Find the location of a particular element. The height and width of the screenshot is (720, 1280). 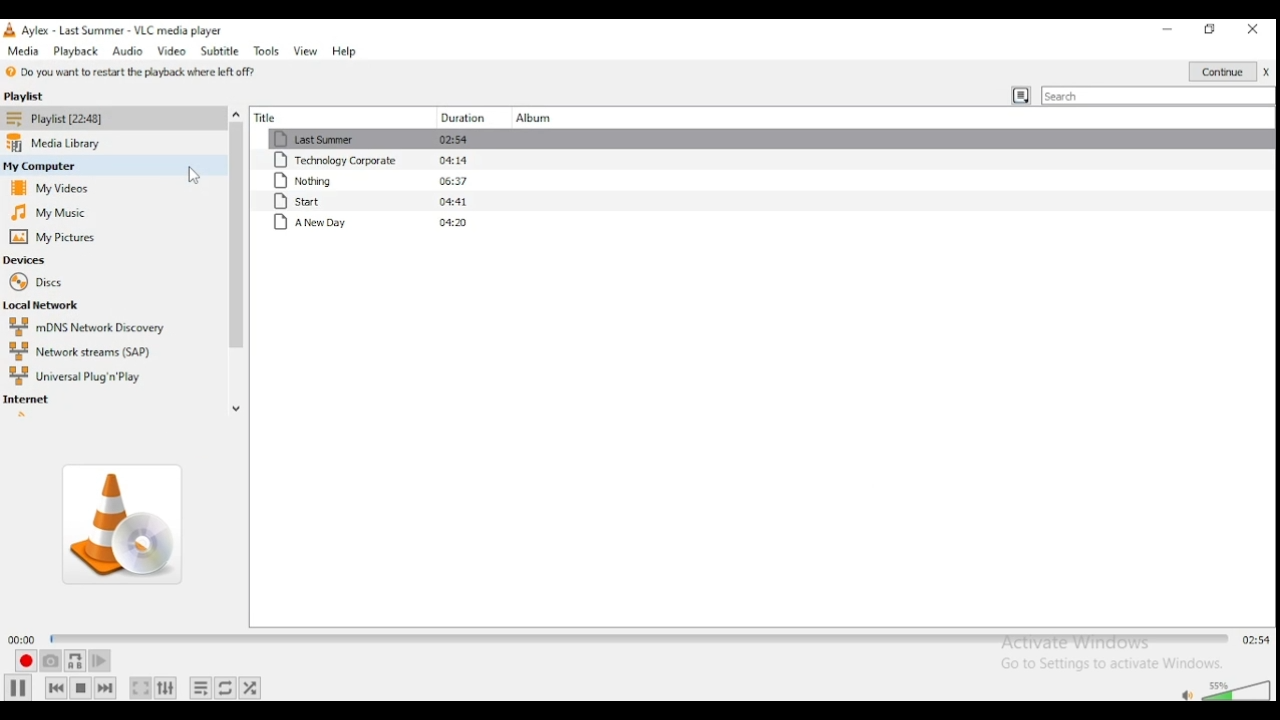

scroll bar is located at coordinates (236, 247).